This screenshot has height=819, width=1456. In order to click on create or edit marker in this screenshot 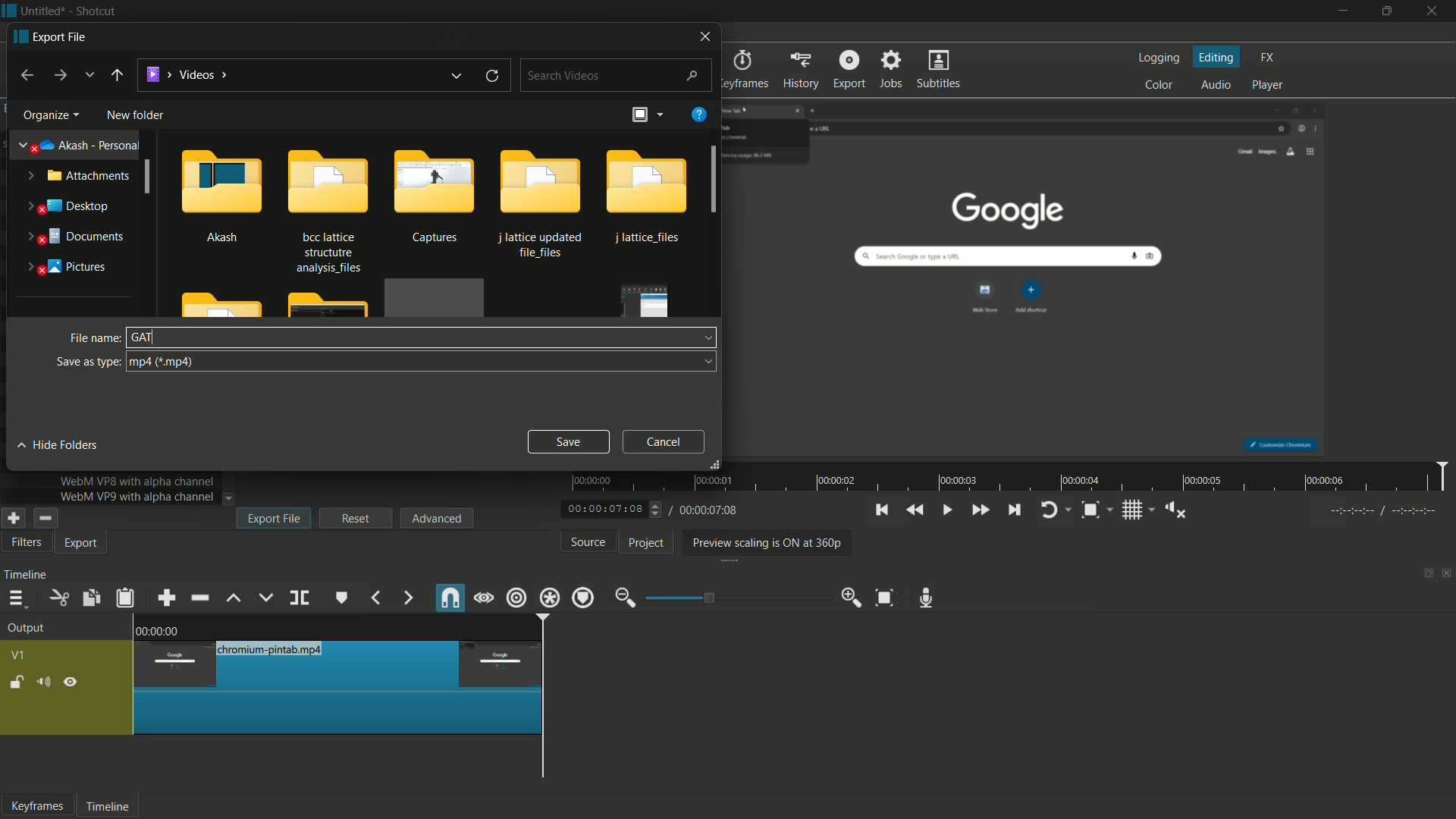, I will do `click(342, 598)`.